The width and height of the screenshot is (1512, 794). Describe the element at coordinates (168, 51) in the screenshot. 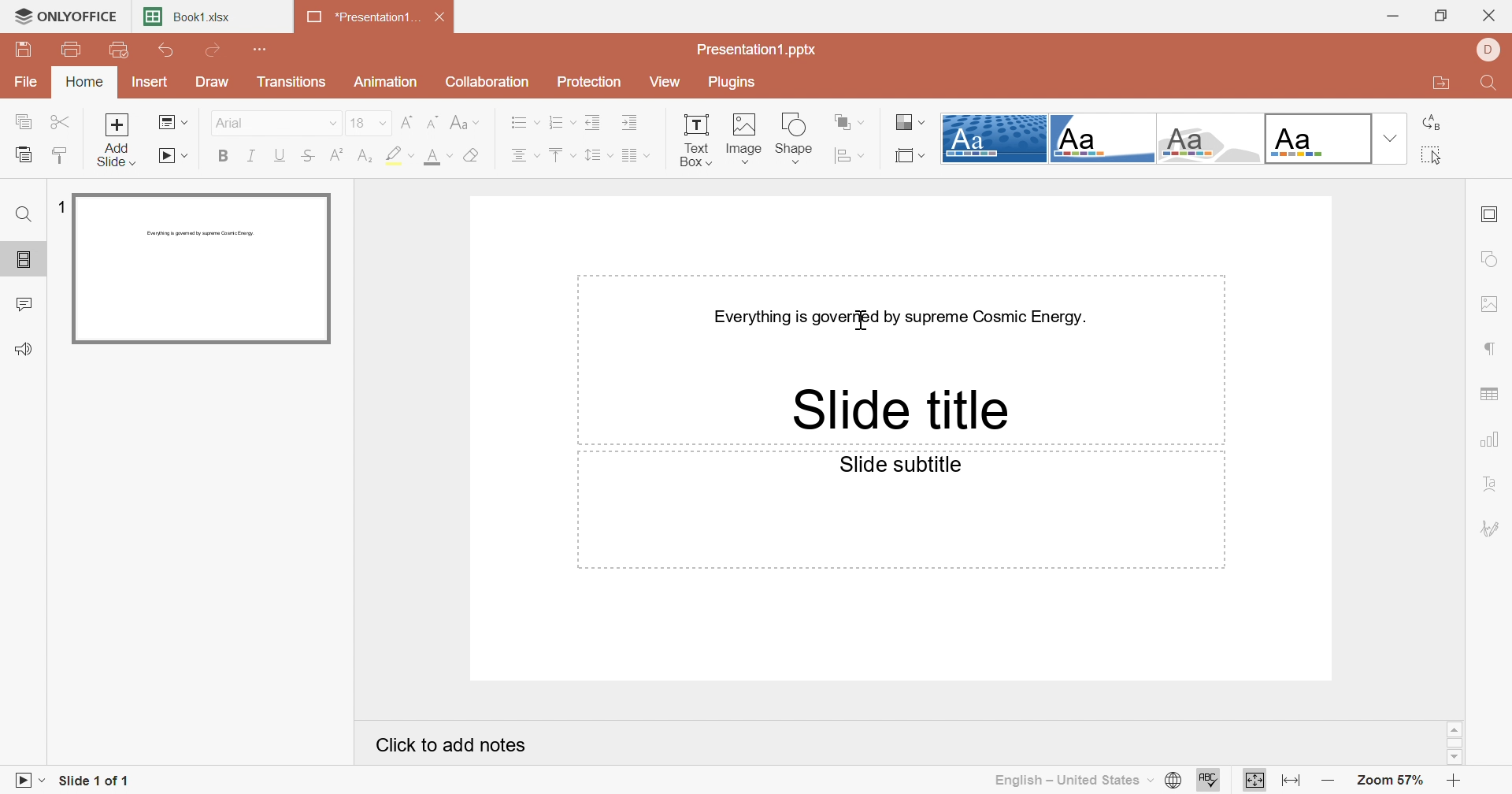

I see `Undo` at that location.